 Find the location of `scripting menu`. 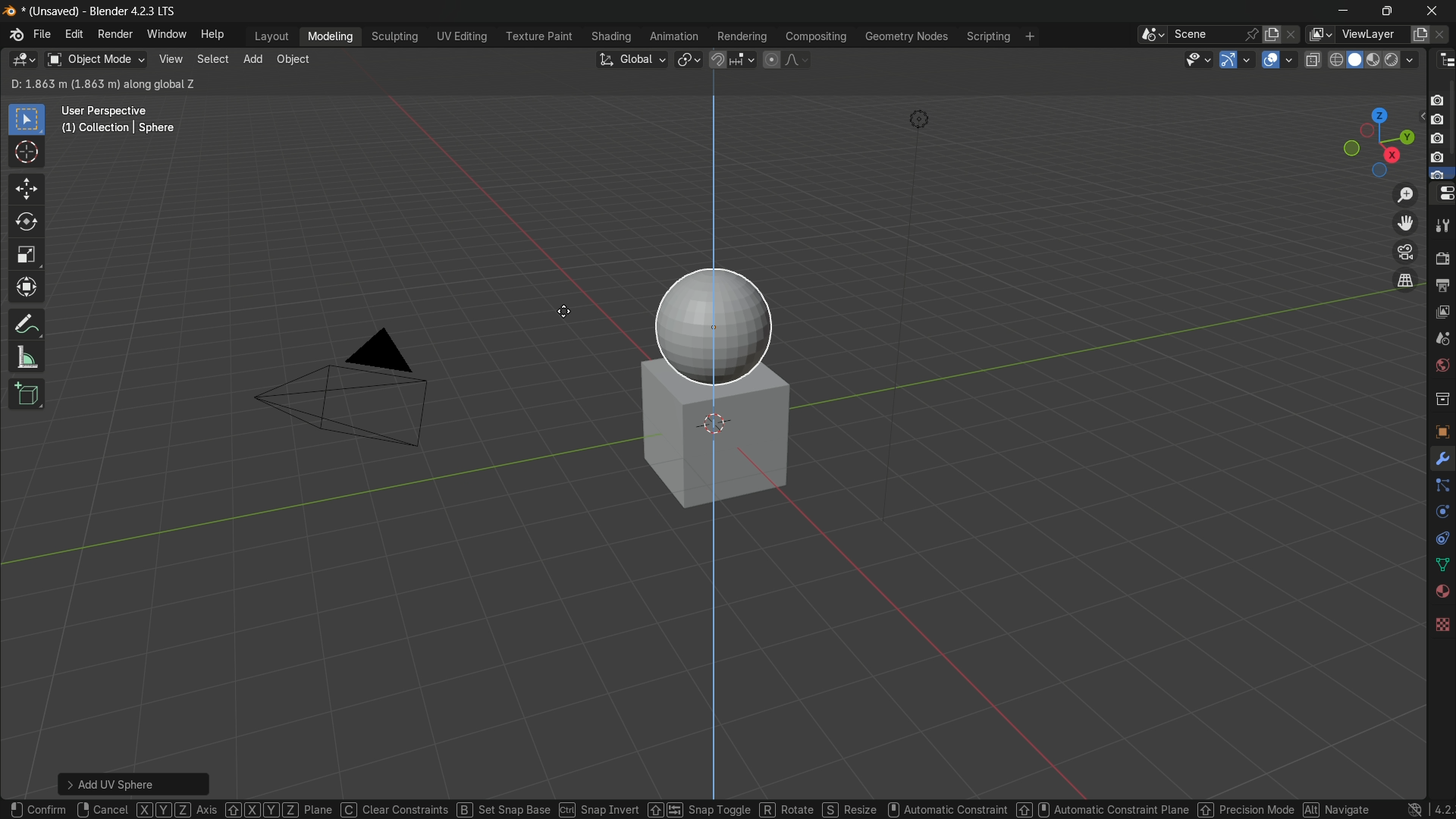

scripting menu is located at coordinates (987, 36).